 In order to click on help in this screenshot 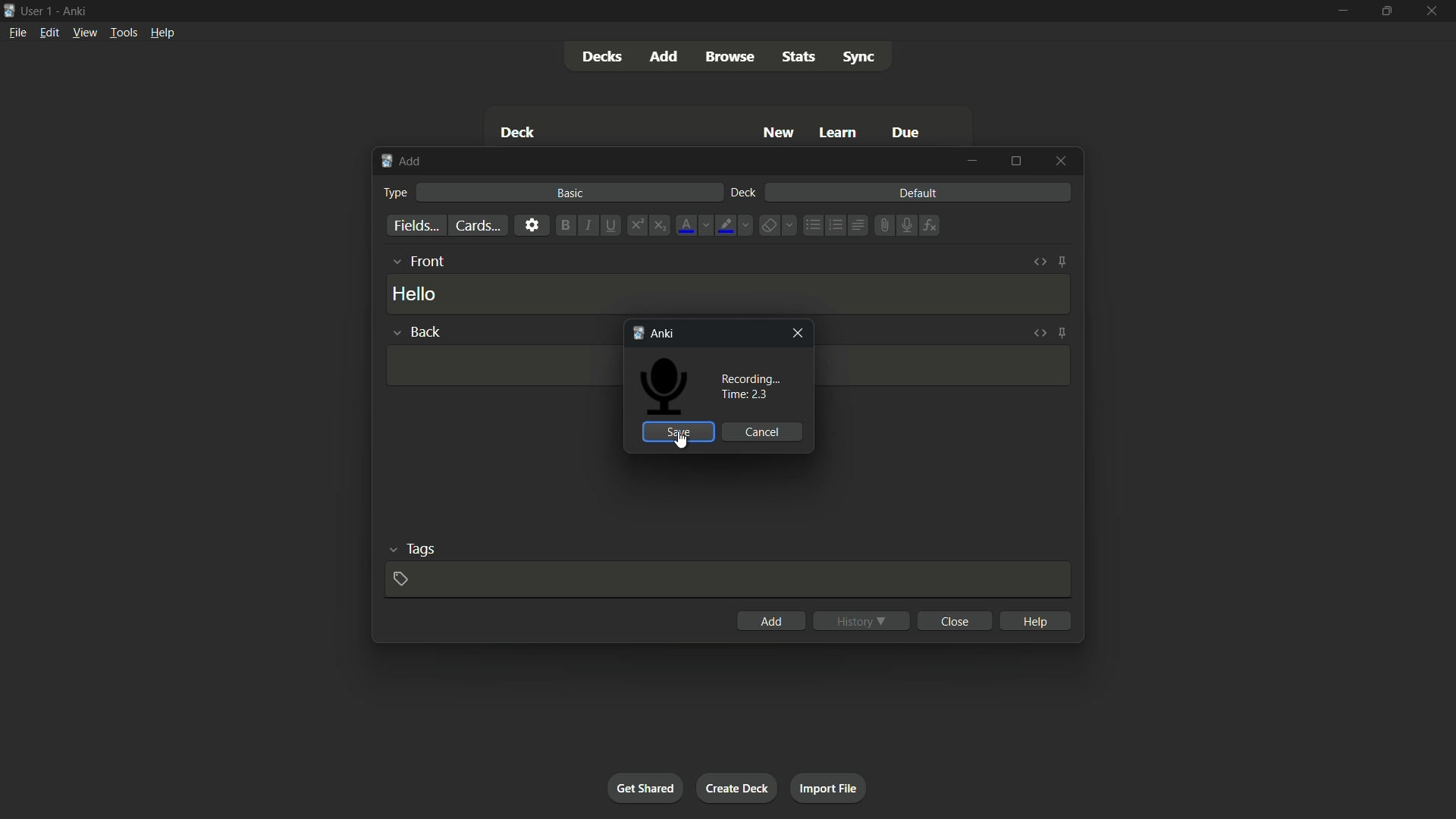, I will do `click(1036, 620)`.